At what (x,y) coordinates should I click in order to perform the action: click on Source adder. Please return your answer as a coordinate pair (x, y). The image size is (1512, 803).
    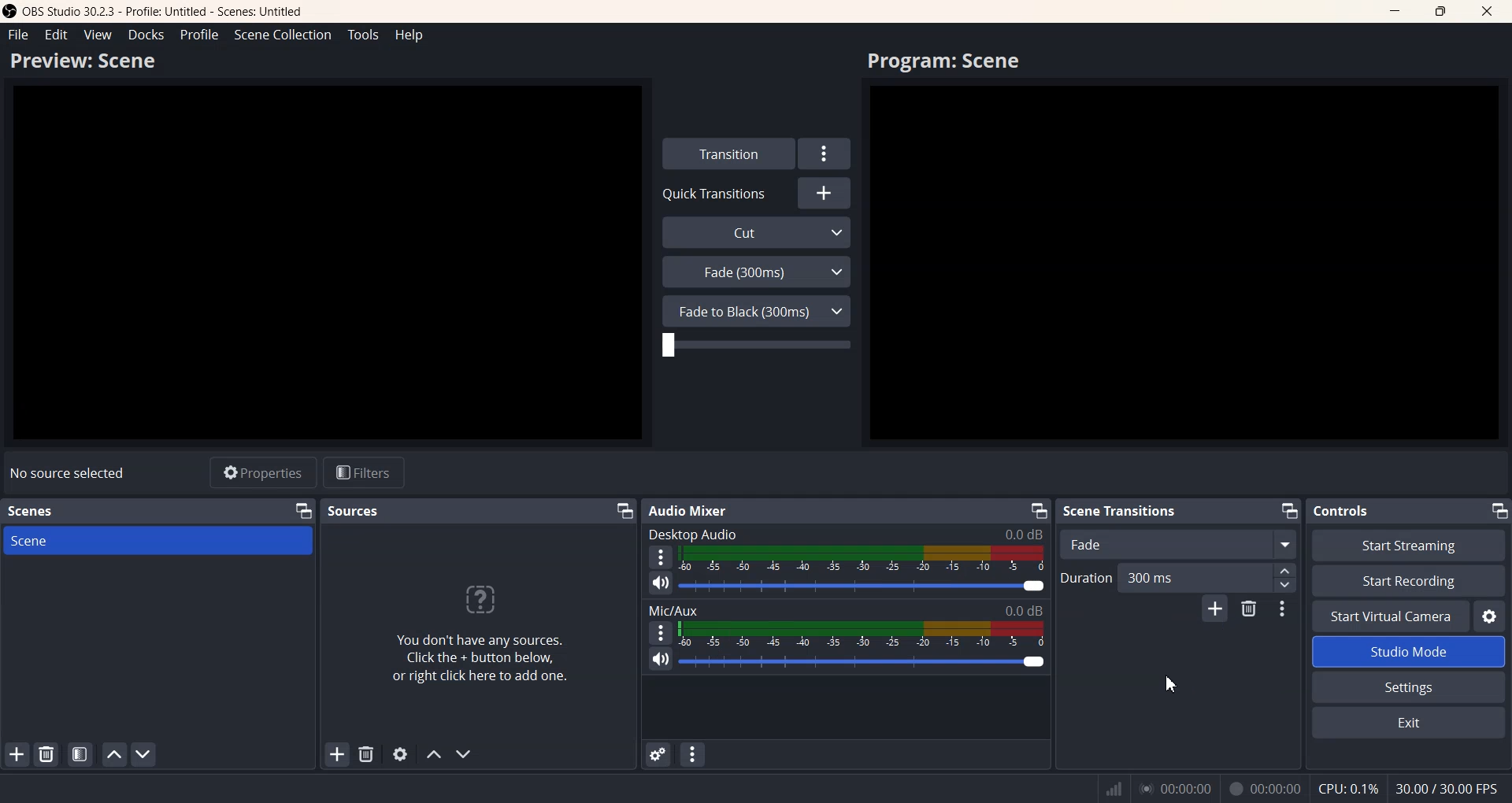
    Looking at the image, I should click on (478, 626).